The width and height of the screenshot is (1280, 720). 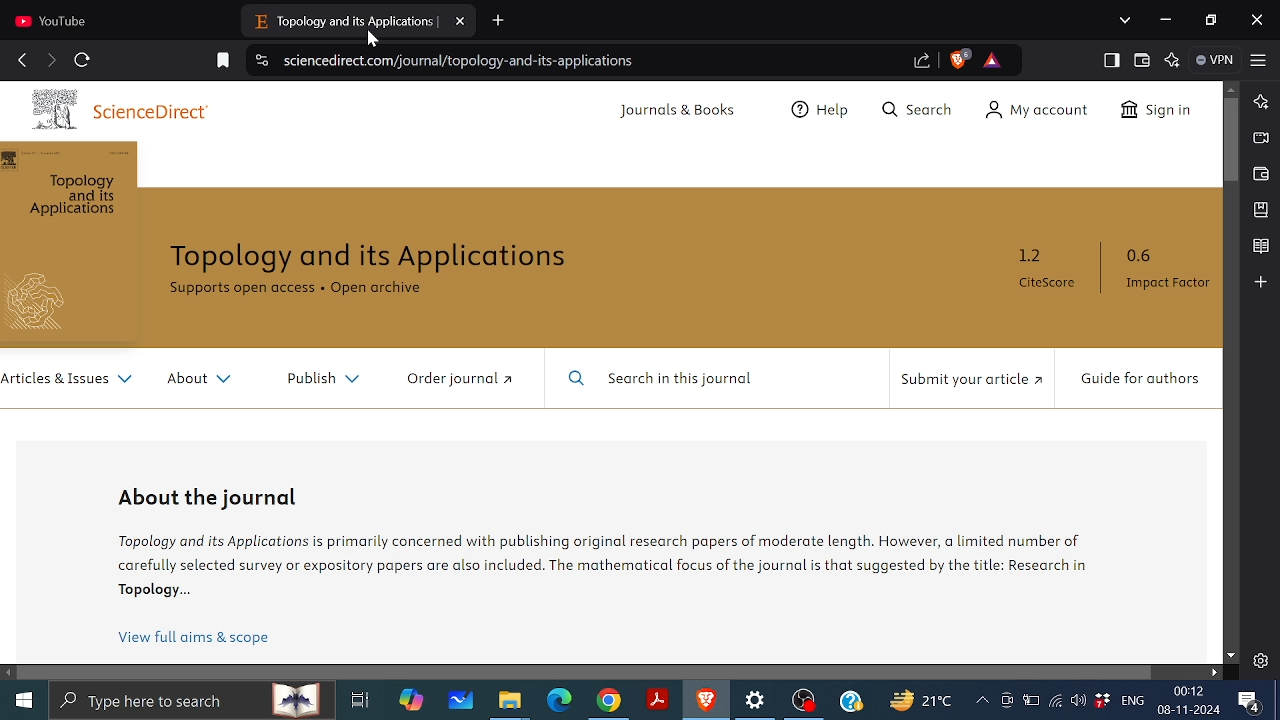 What do you see at coordinates (1260, 281) in the screenshot?
I see `Add to sidebar` at bounding box center [1260, 281].